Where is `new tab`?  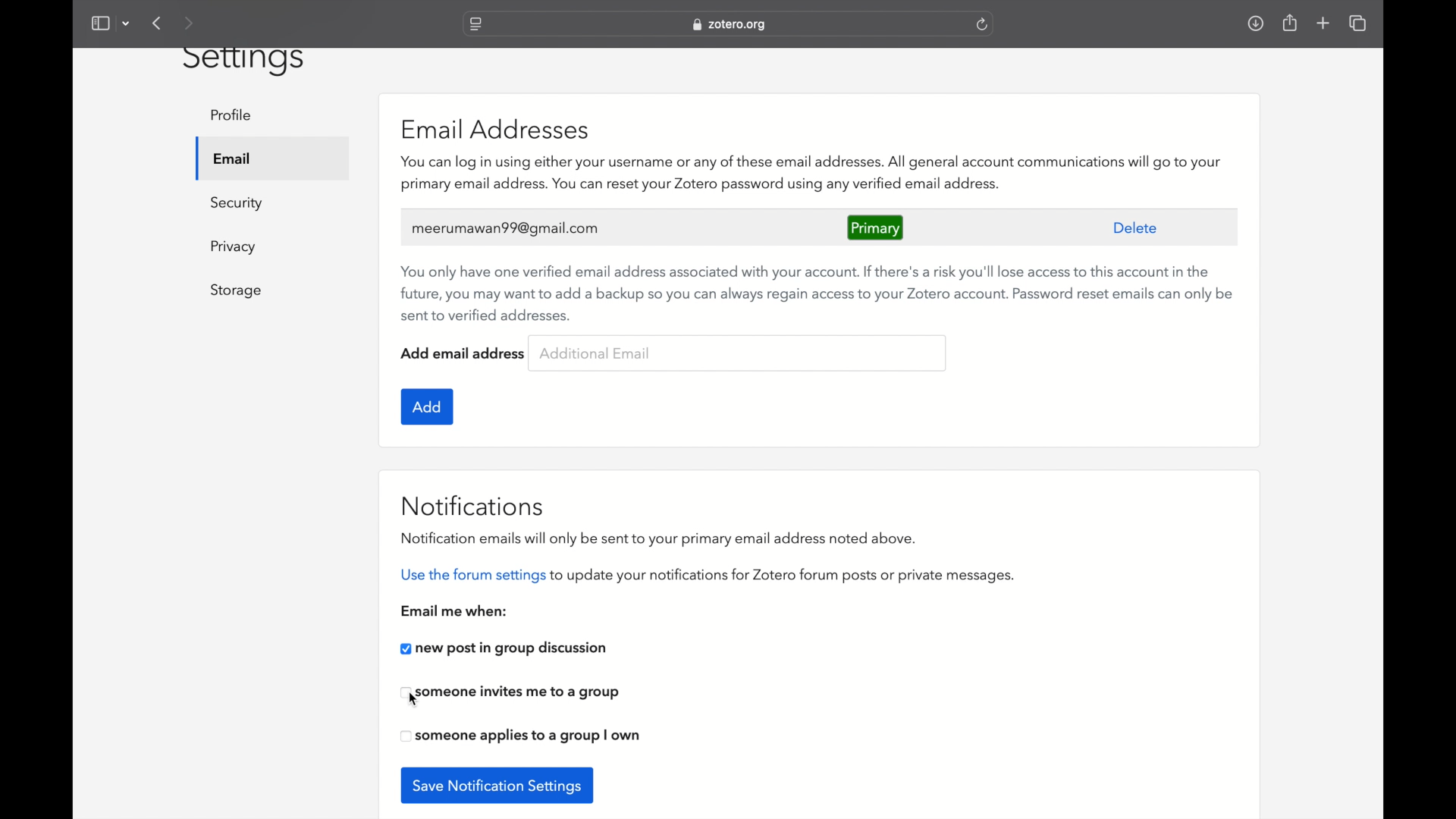
new tab is located at coordinates (1323, 23).